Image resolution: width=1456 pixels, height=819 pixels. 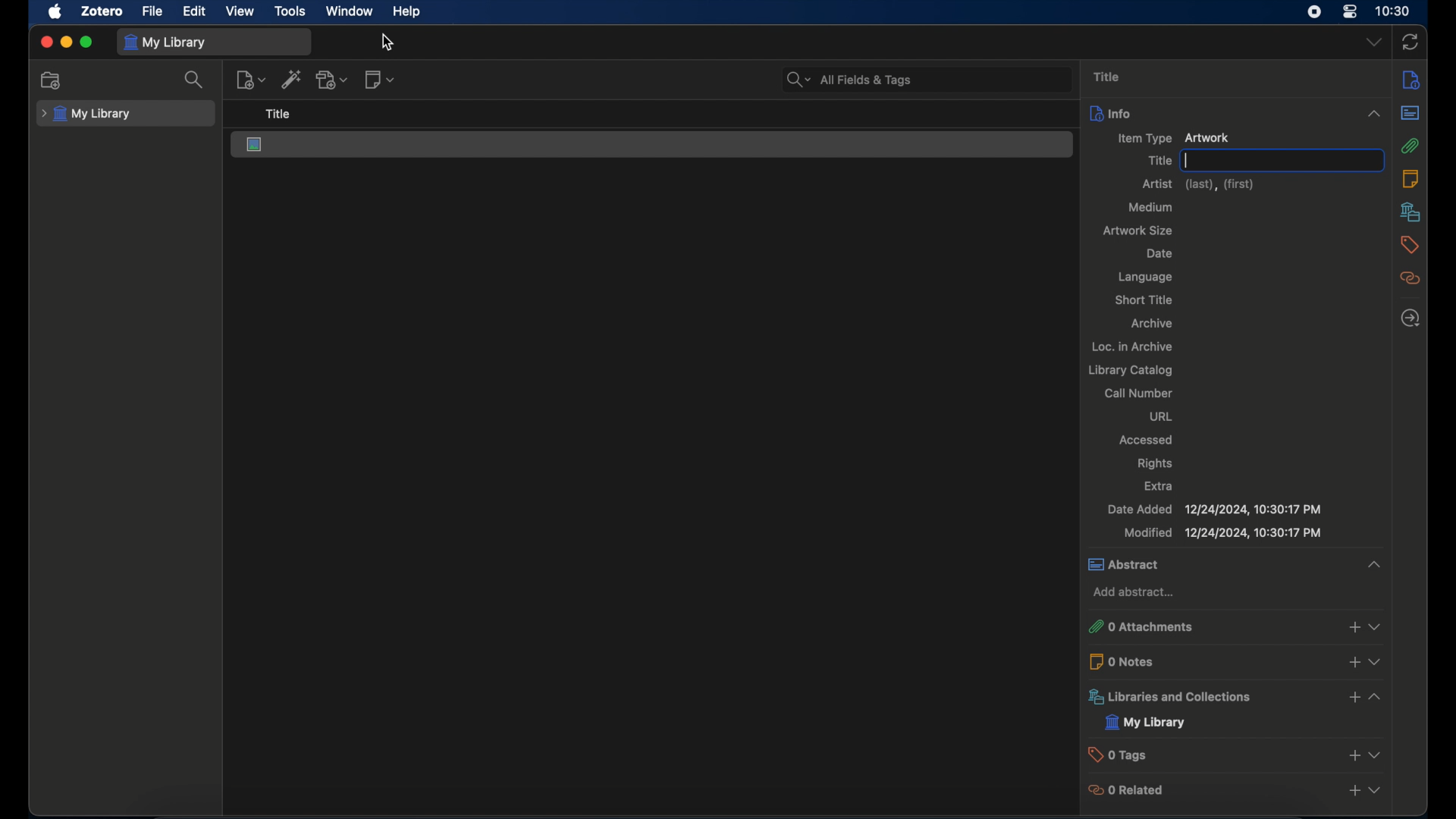 I want to click on window, so click(x=350, y=11).